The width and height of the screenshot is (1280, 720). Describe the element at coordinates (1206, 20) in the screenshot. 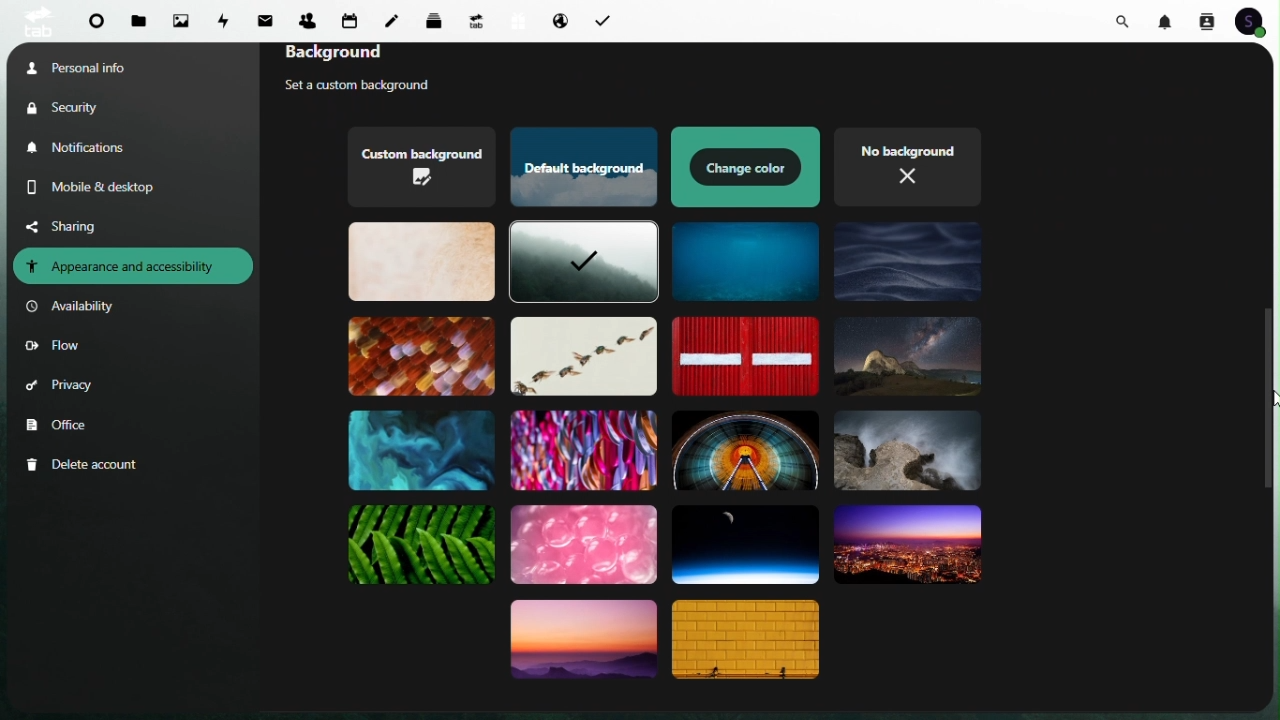

I see `Contacts` at that location.